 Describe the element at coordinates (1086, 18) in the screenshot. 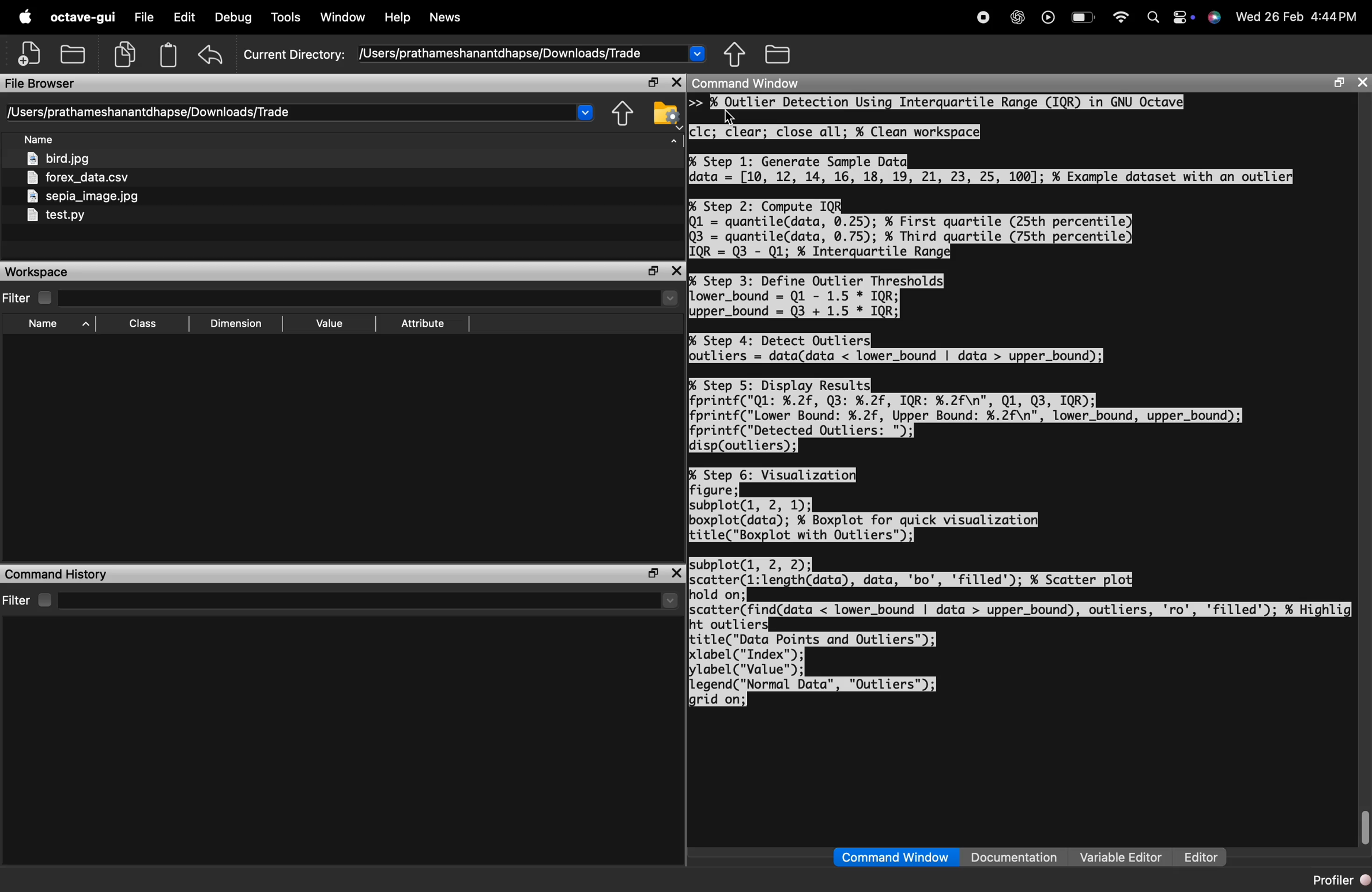

I see `battery` at that location.